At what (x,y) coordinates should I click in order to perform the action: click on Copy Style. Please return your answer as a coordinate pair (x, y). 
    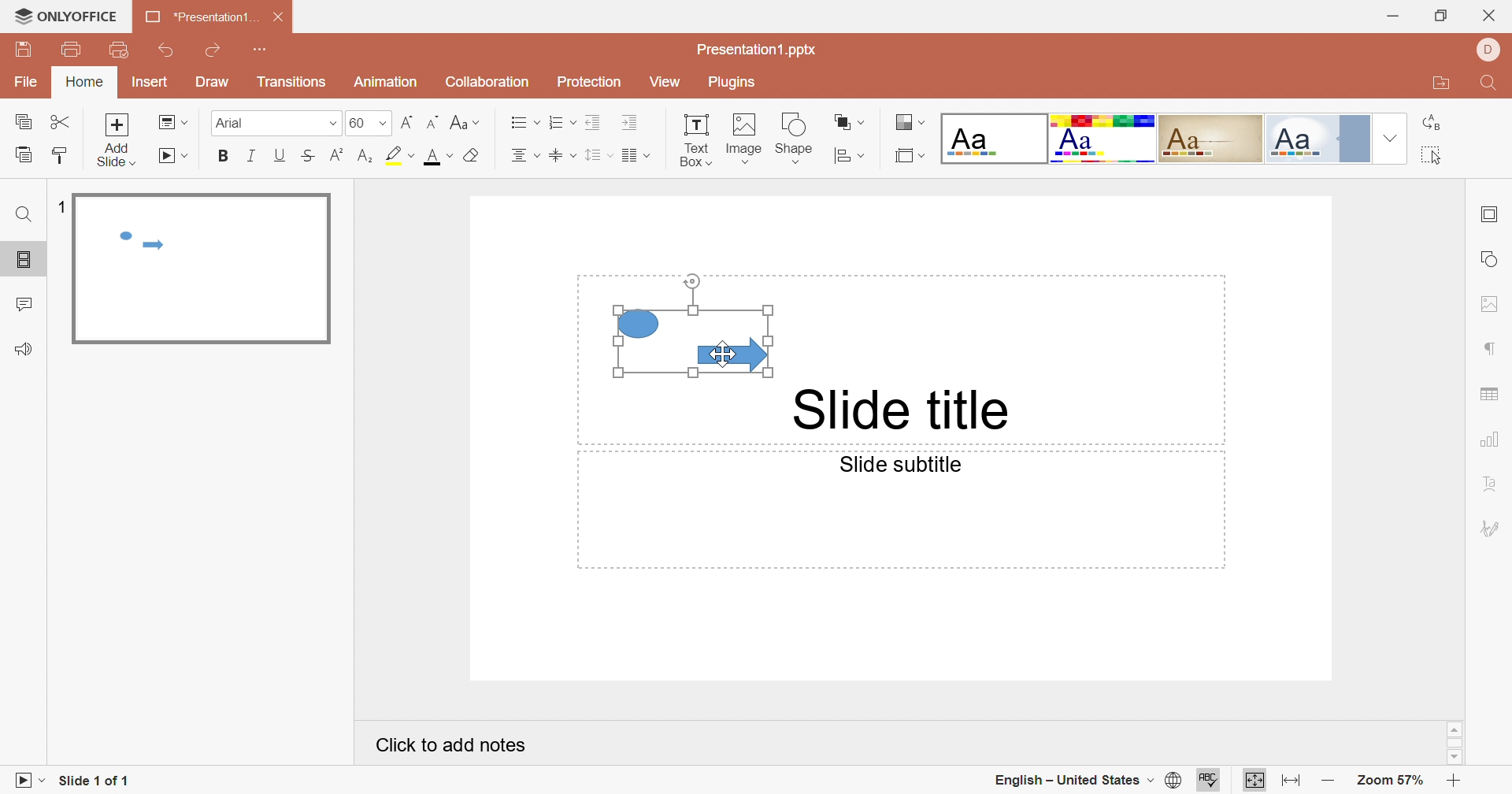
    Looking at the image, I should click on (59, 158).